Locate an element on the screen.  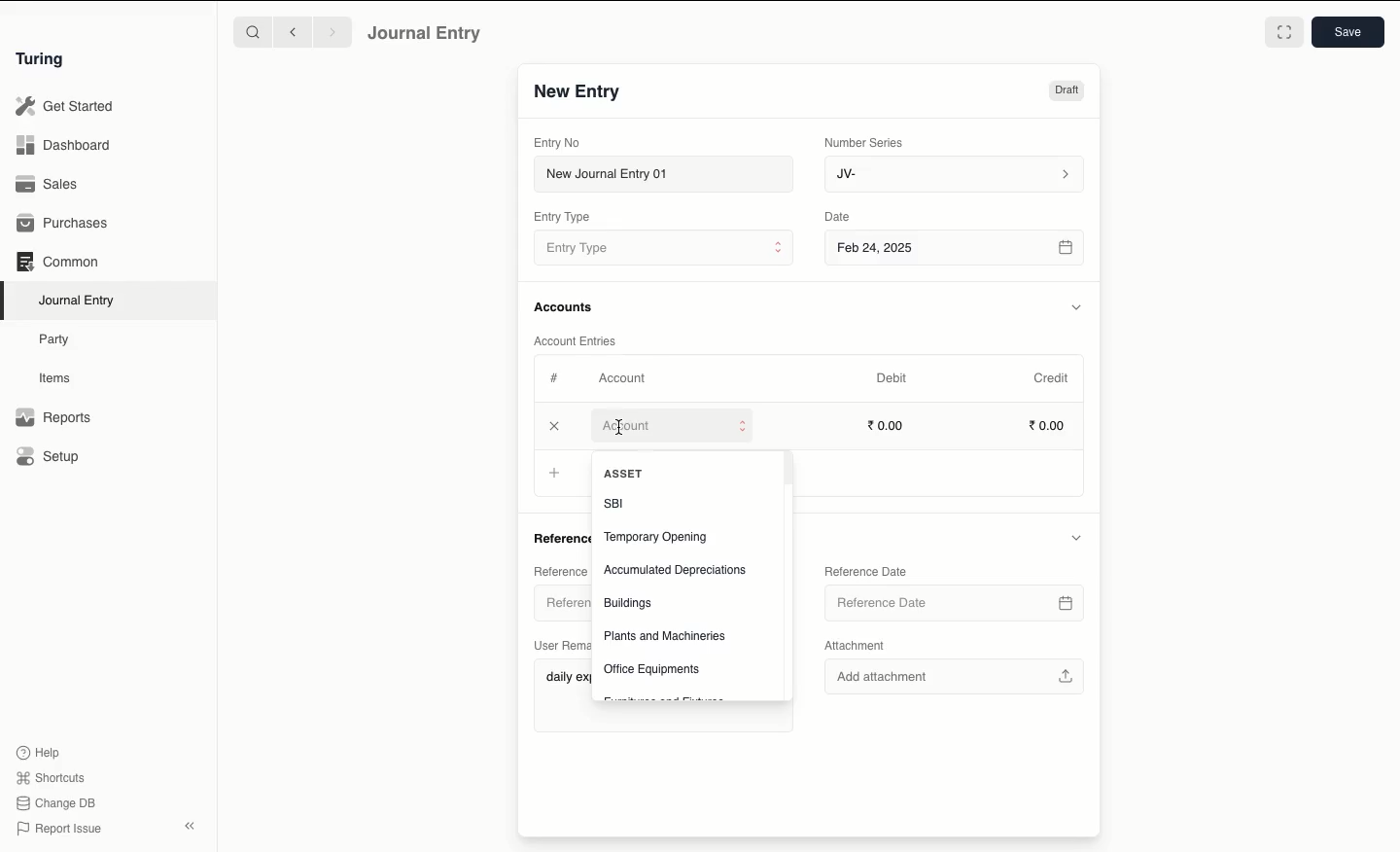
Change DB is located at coordinates (55, 803).